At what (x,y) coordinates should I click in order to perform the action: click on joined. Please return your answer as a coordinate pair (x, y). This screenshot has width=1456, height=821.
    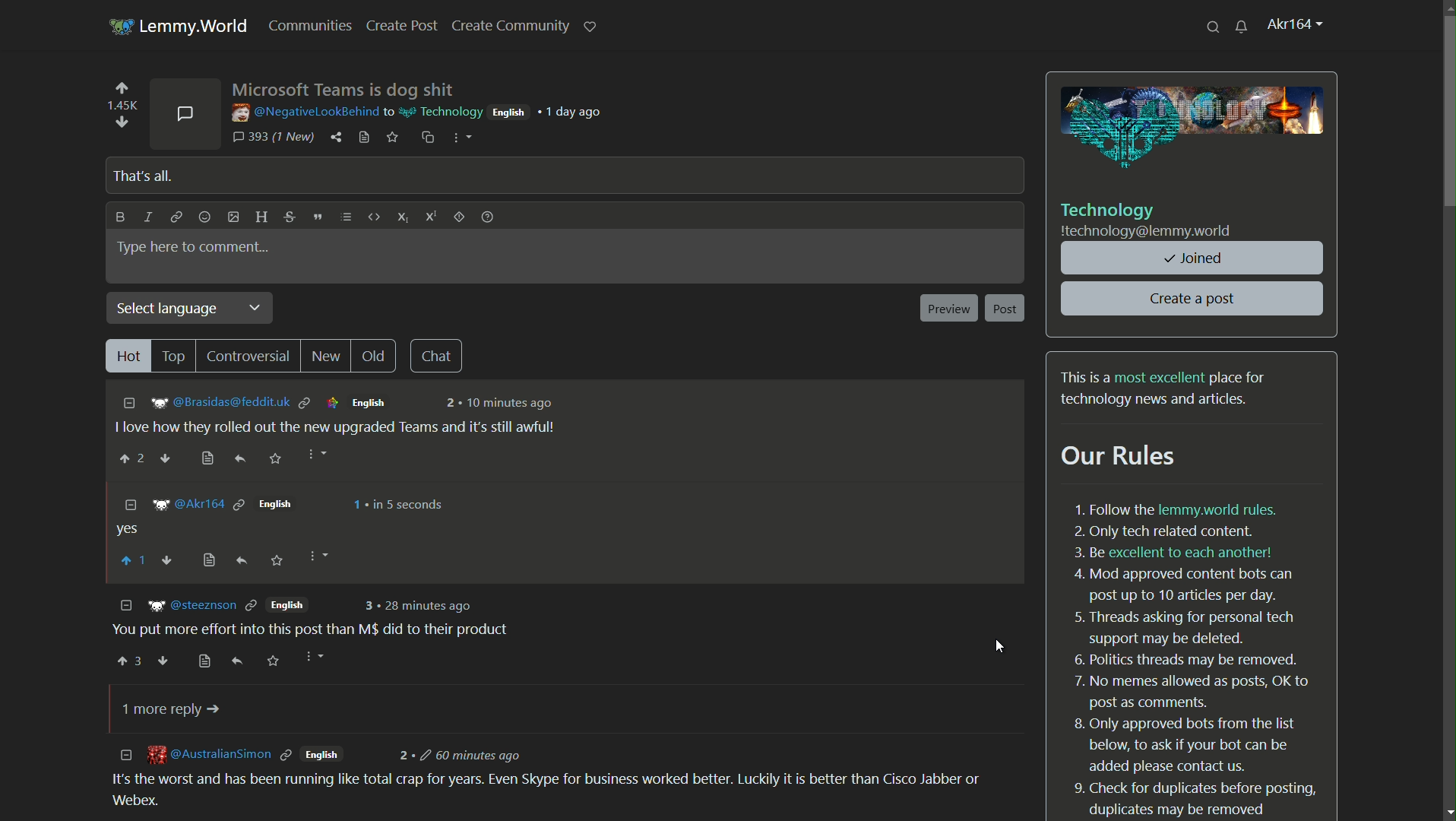
    Looking at the image, I should click on (1194, 258).